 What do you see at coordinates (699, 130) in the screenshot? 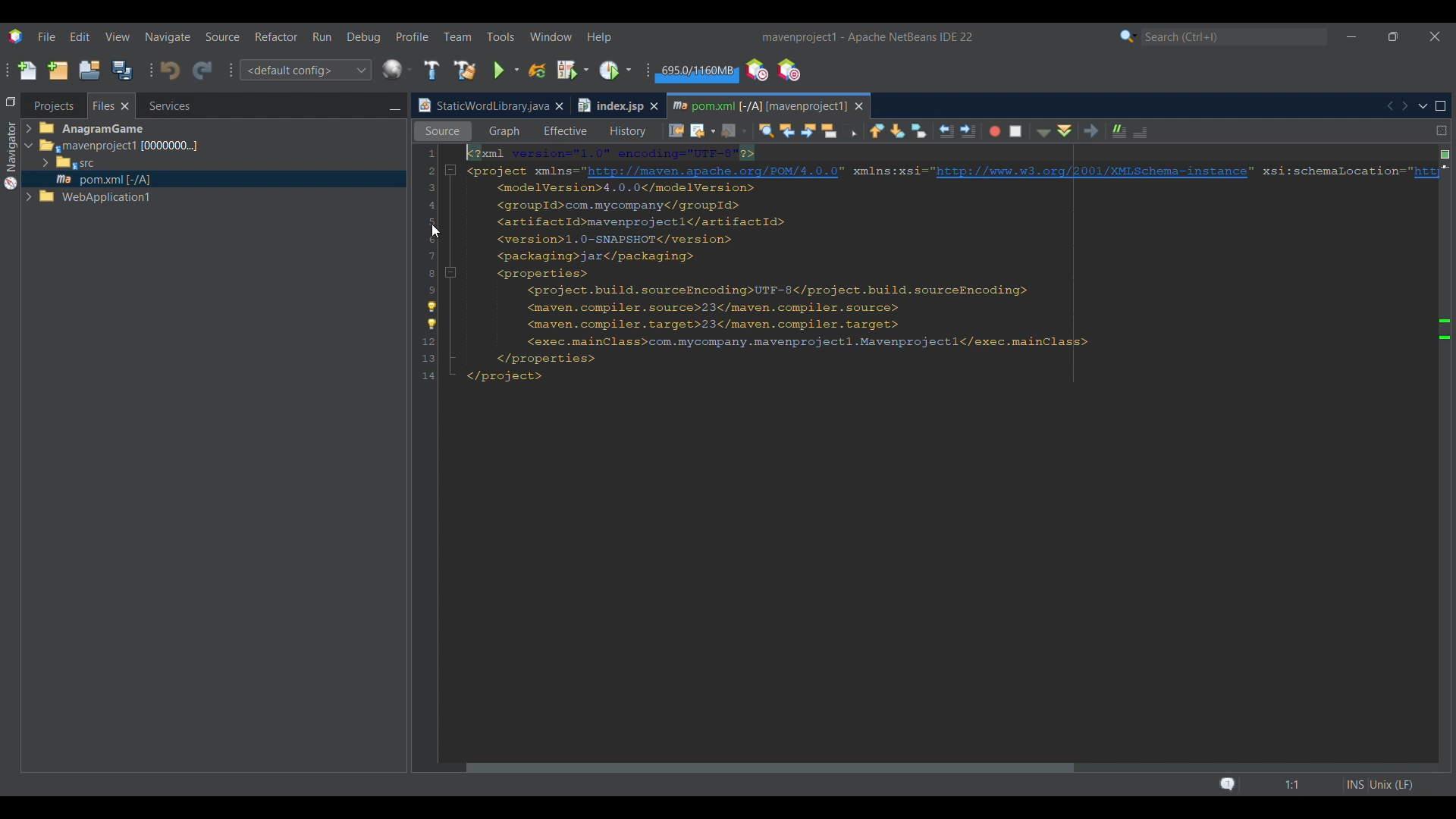
I see `Back options` at bounding box center [699, 130].